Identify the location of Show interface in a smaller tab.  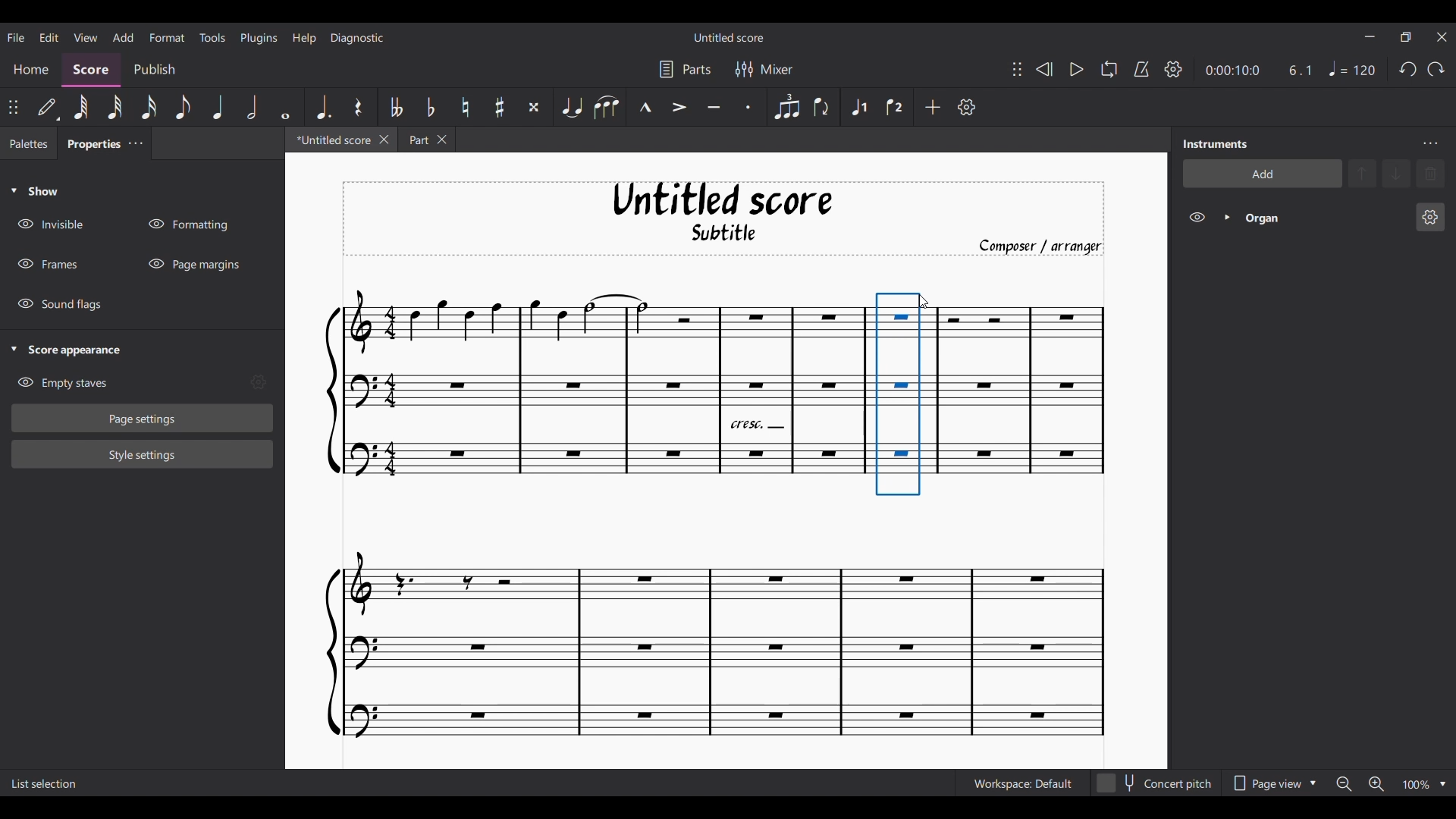
(1406, 37).